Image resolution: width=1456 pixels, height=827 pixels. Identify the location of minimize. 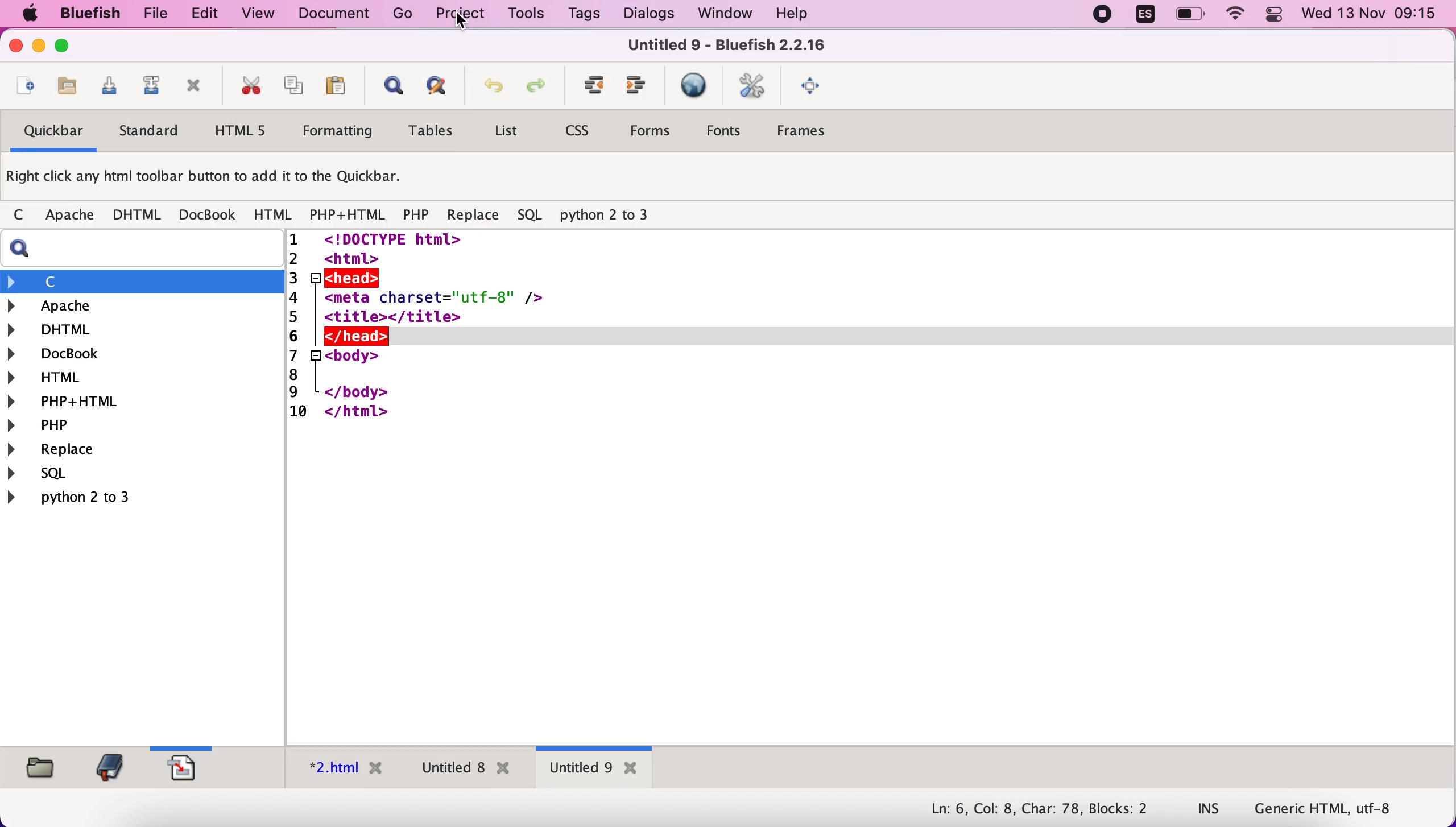
(39, 48).